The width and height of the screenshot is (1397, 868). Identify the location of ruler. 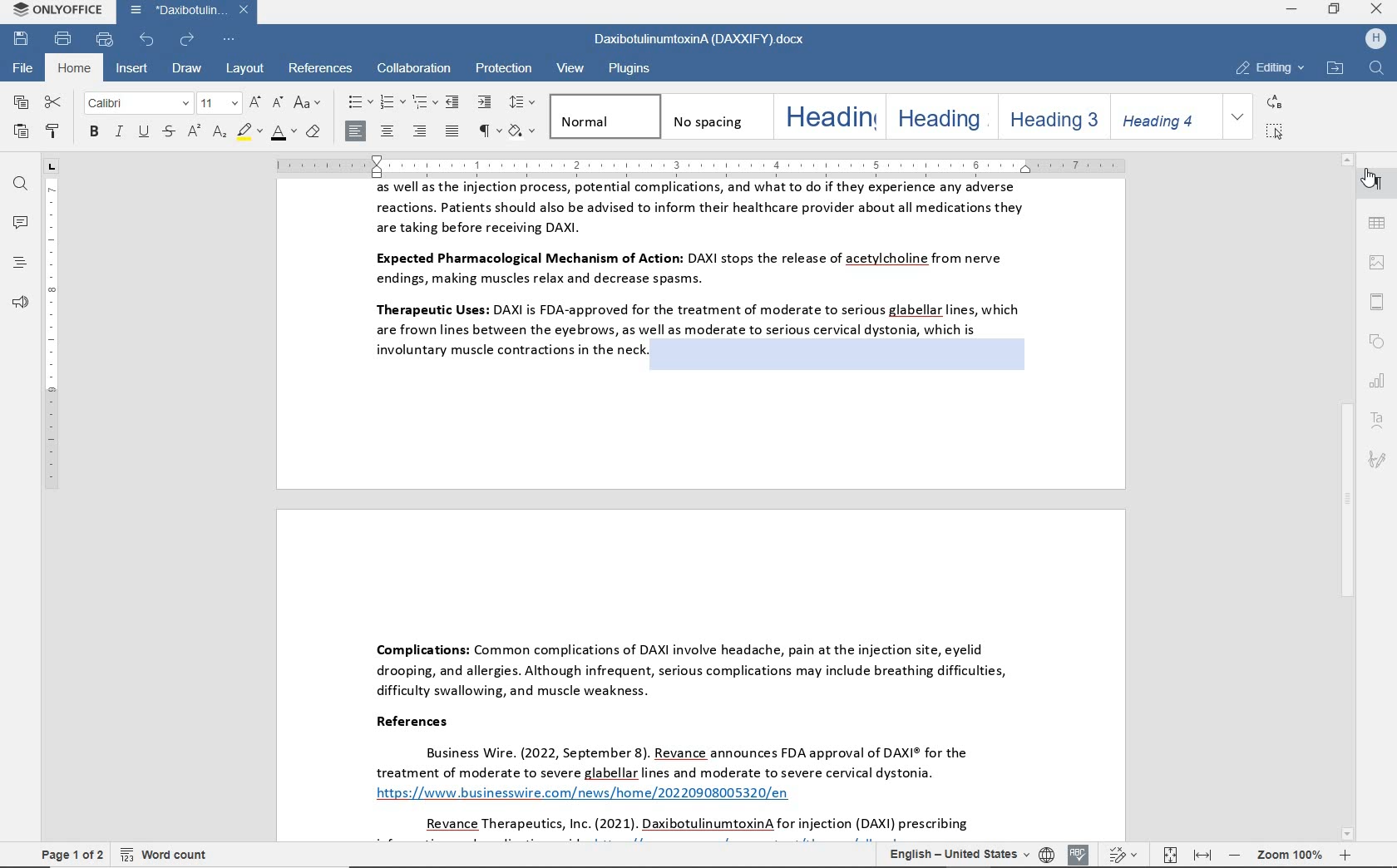
(52, 508).